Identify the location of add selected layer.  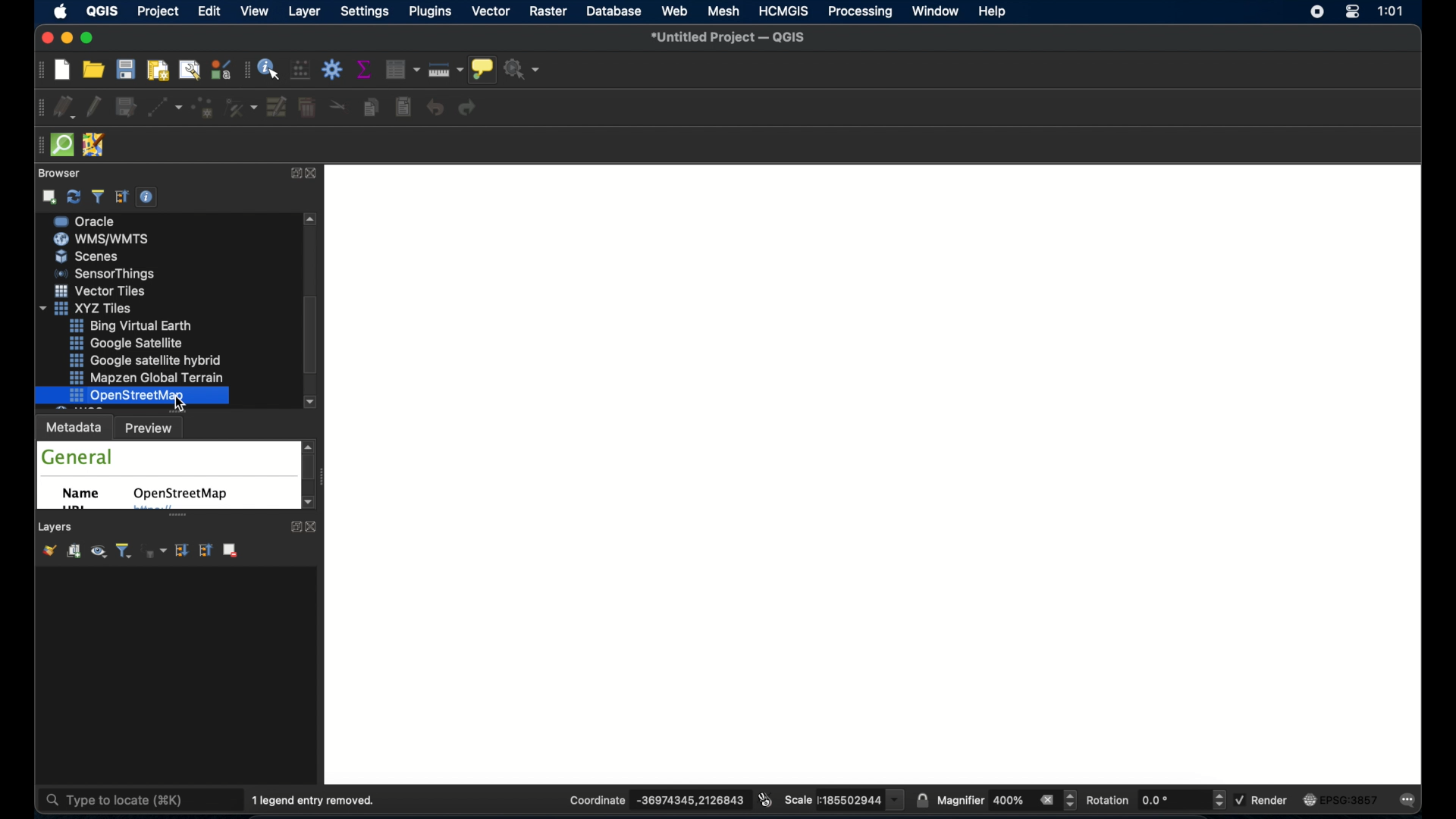
(50, 197).